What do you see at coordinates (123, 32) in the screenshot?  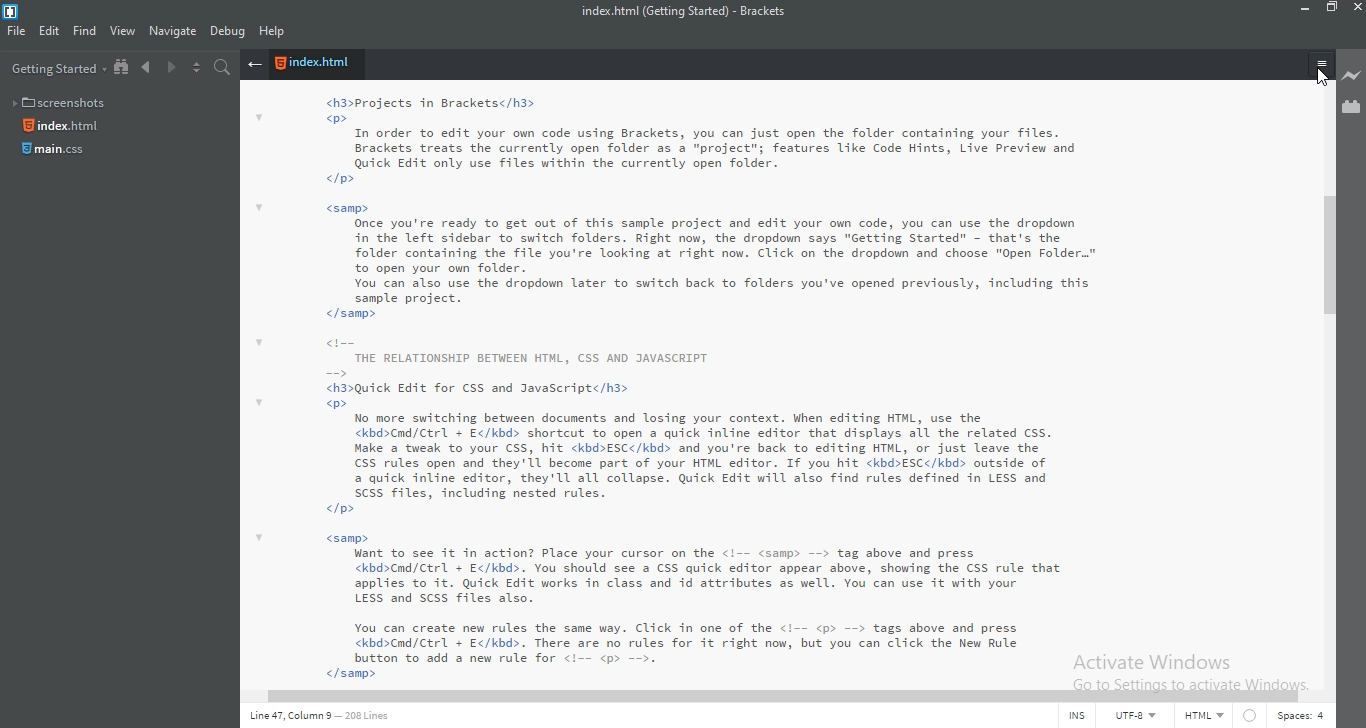 I see `View` at bounding box center [123, 32].